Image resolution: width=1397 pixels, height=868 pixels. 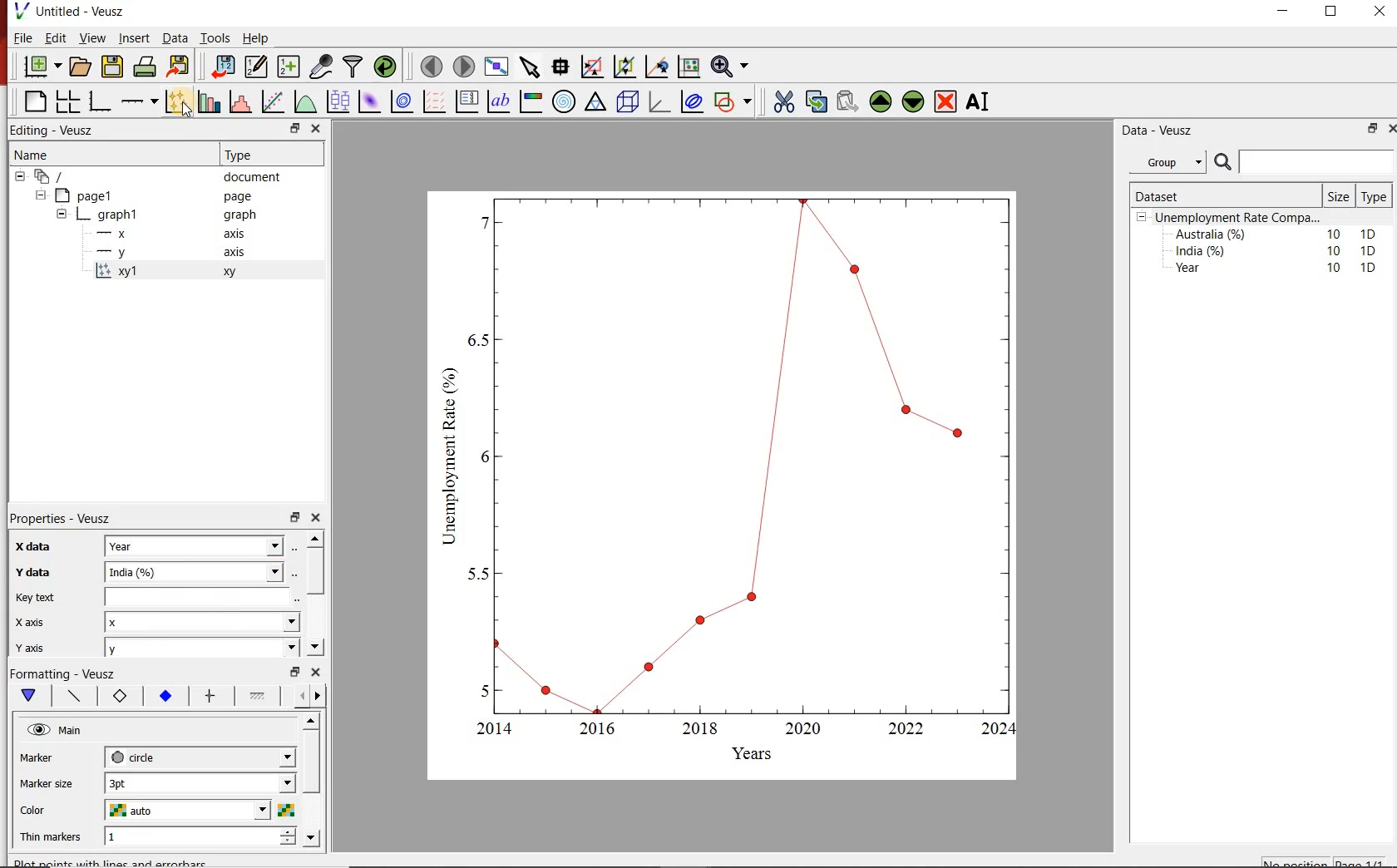 What do you see at coordinates (659, 101) in the screenshot?
I see `3d graphs` at bounding box center [659, 101].